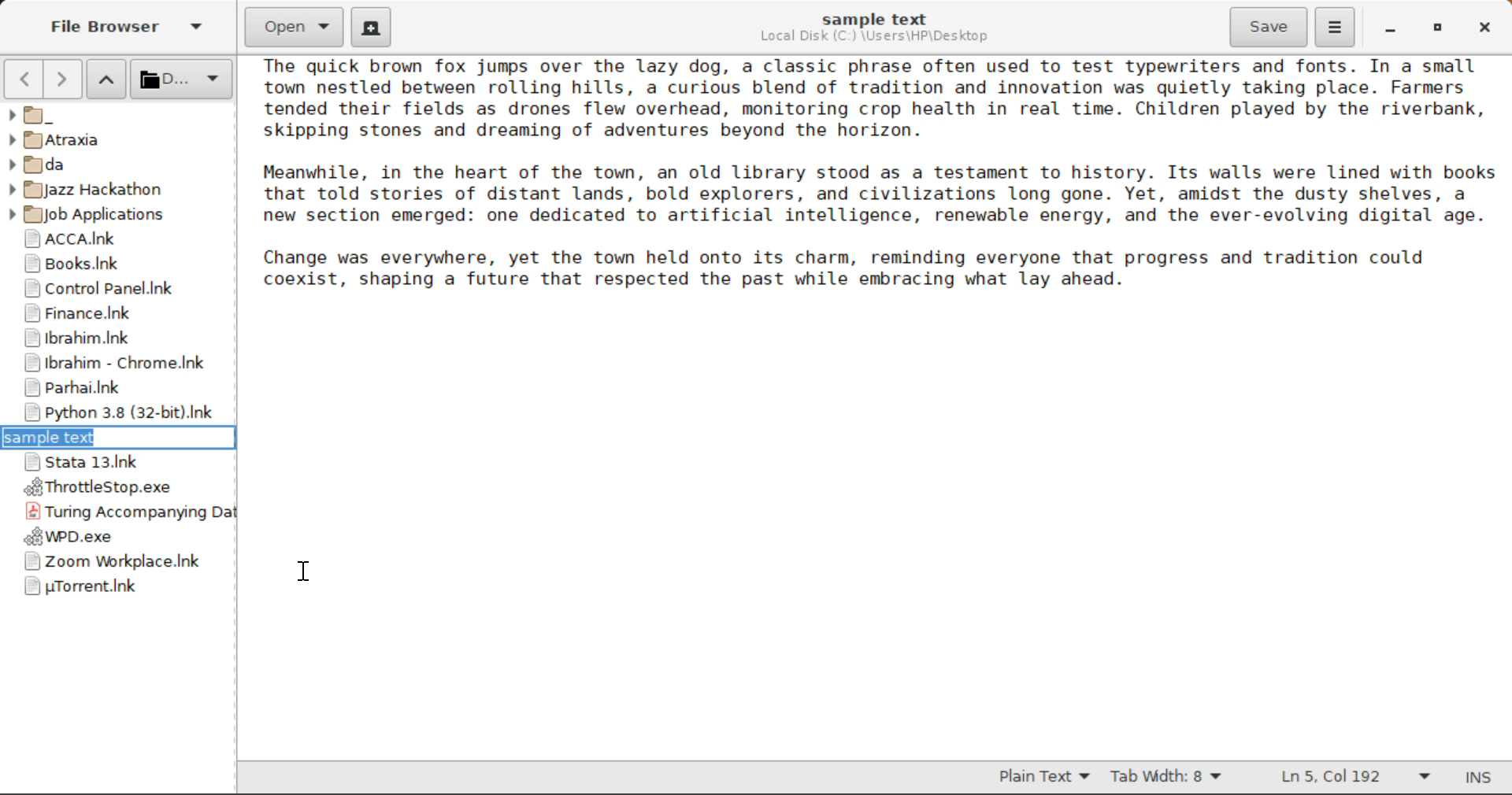 Image resolution: width=1512 pixels, height=795 pixels. I want to click on Finance Folder Shortcut Link, so click(114, 314).